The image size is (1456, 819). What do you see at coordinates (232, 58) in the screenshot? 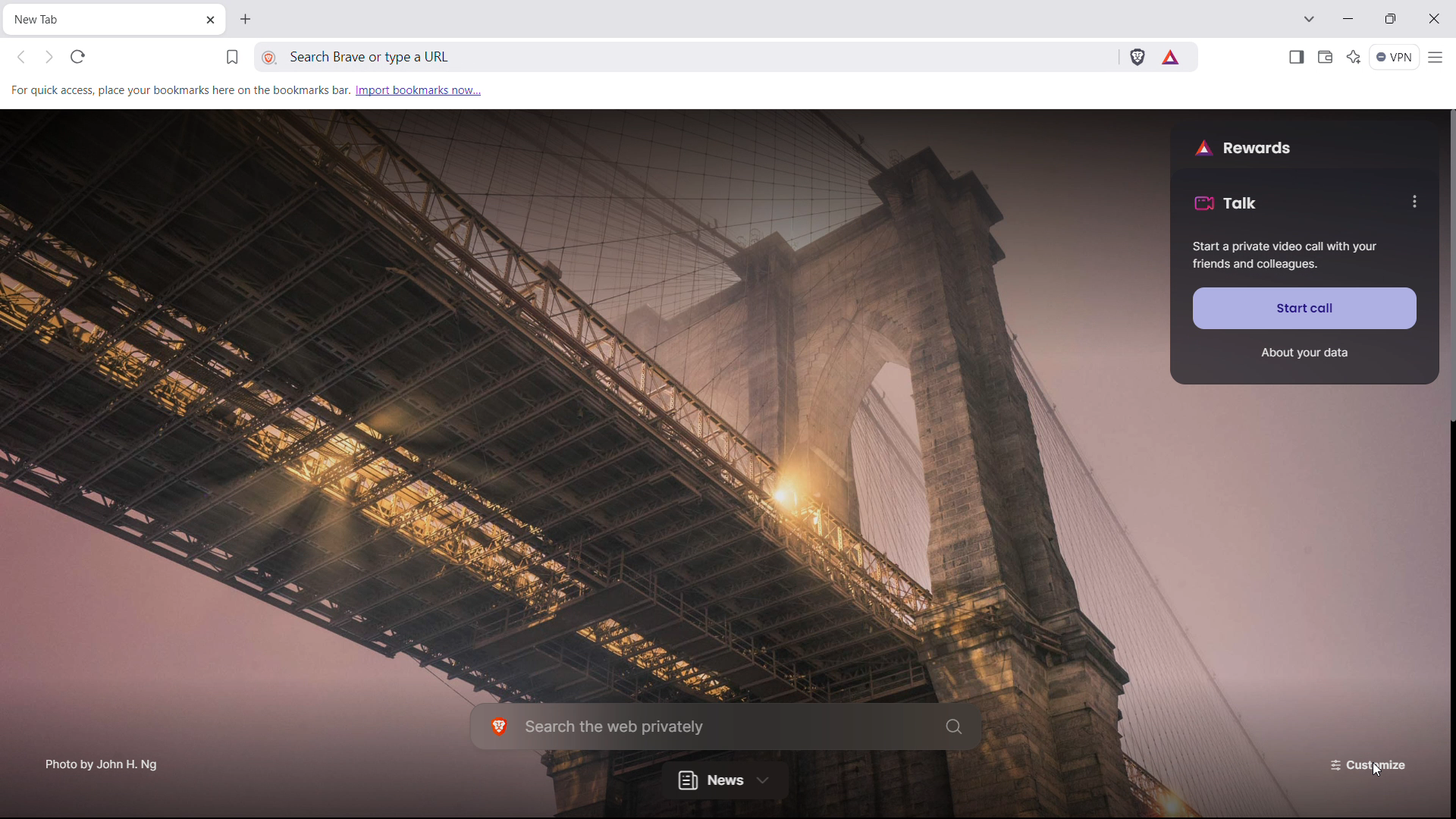
I see `bookmark this page` at bounding box center [232, 58].